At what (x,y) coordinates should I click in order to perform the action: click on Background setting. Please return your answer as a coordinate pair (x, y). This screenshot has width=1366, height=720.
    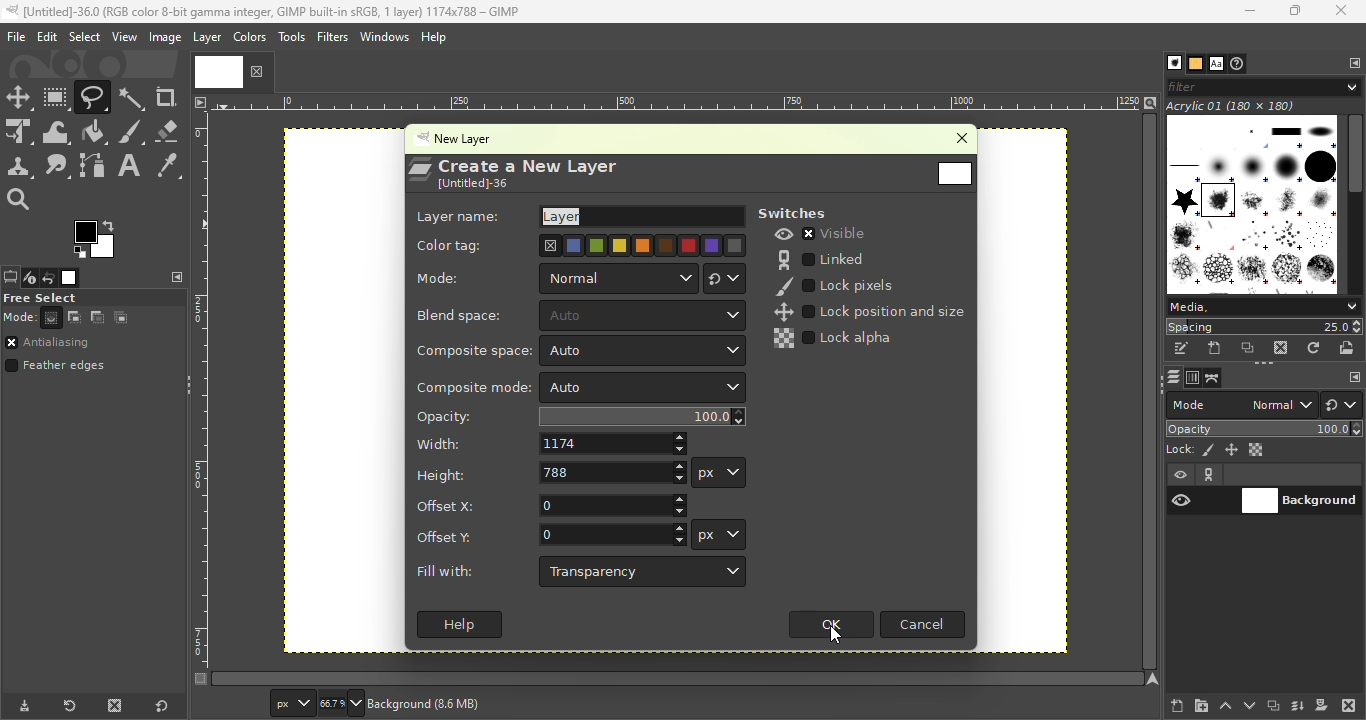
    Looking at the image, I should click on (1265, 488).